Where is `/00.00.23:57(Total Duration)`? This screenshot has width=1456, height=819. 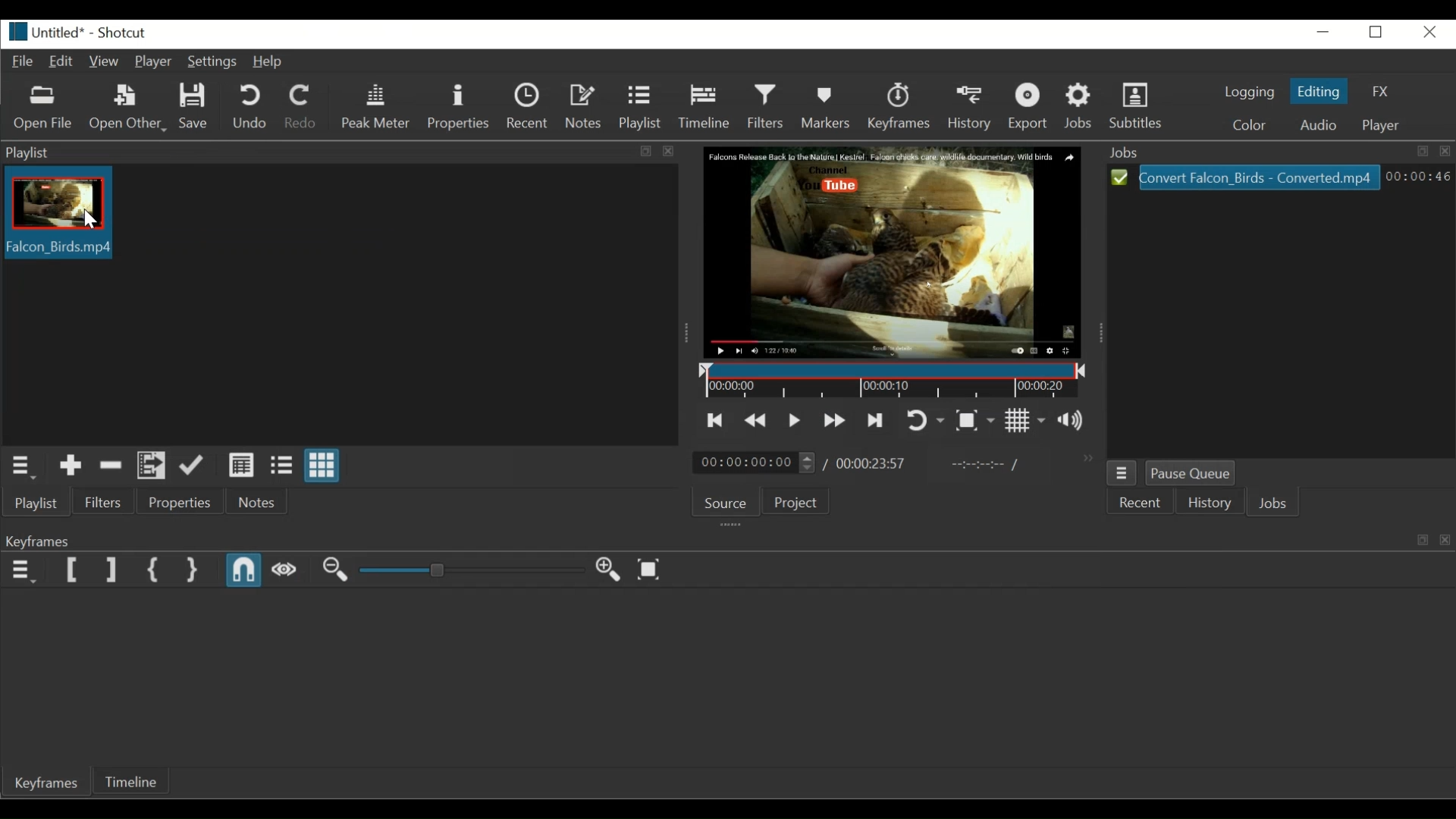
/00.00.23:57(Total Duration) is located at coordinates (867, 464).